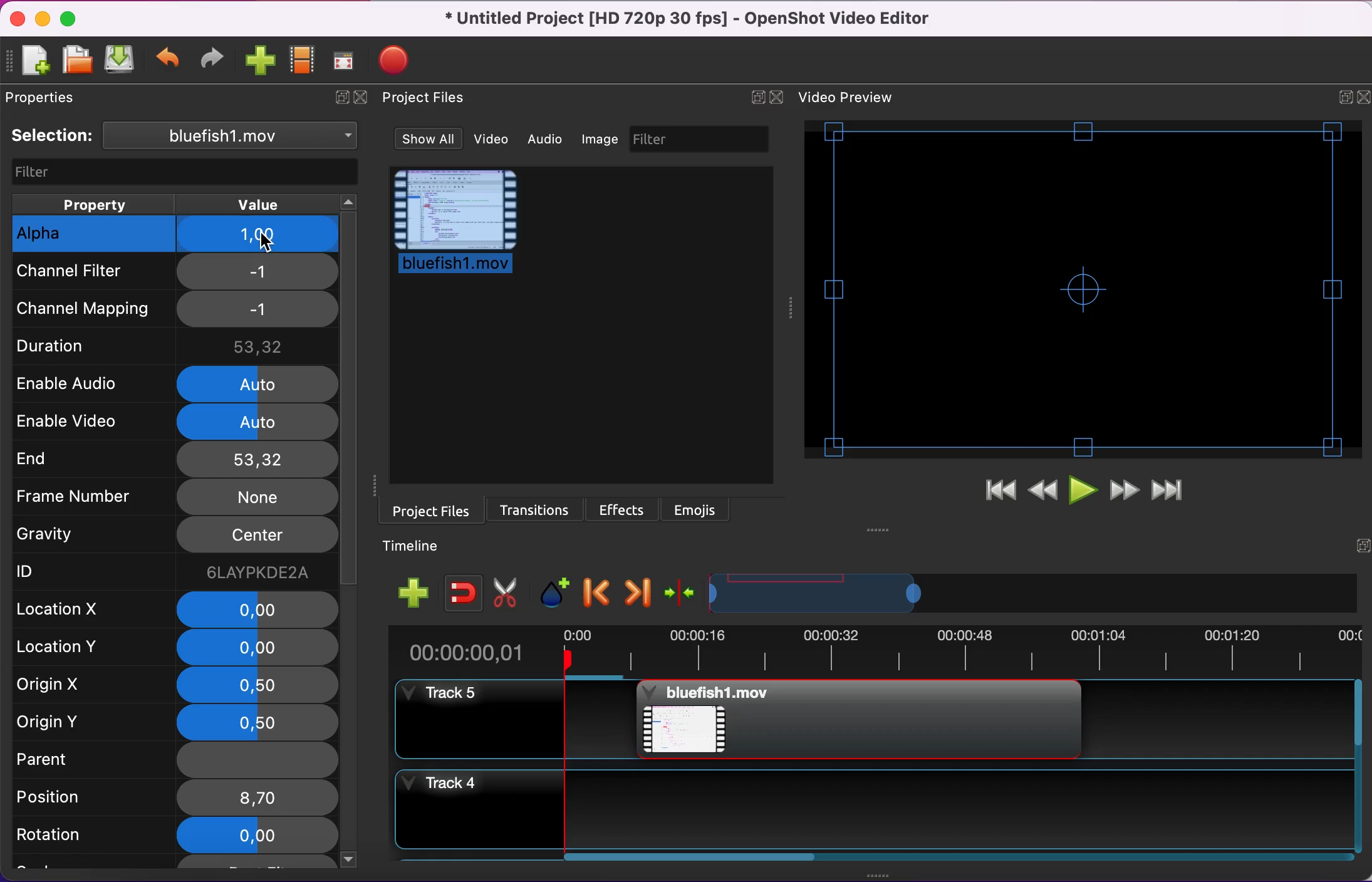 This screenshot has height=882, width=1372. I want to click on close, so click(362, 97).